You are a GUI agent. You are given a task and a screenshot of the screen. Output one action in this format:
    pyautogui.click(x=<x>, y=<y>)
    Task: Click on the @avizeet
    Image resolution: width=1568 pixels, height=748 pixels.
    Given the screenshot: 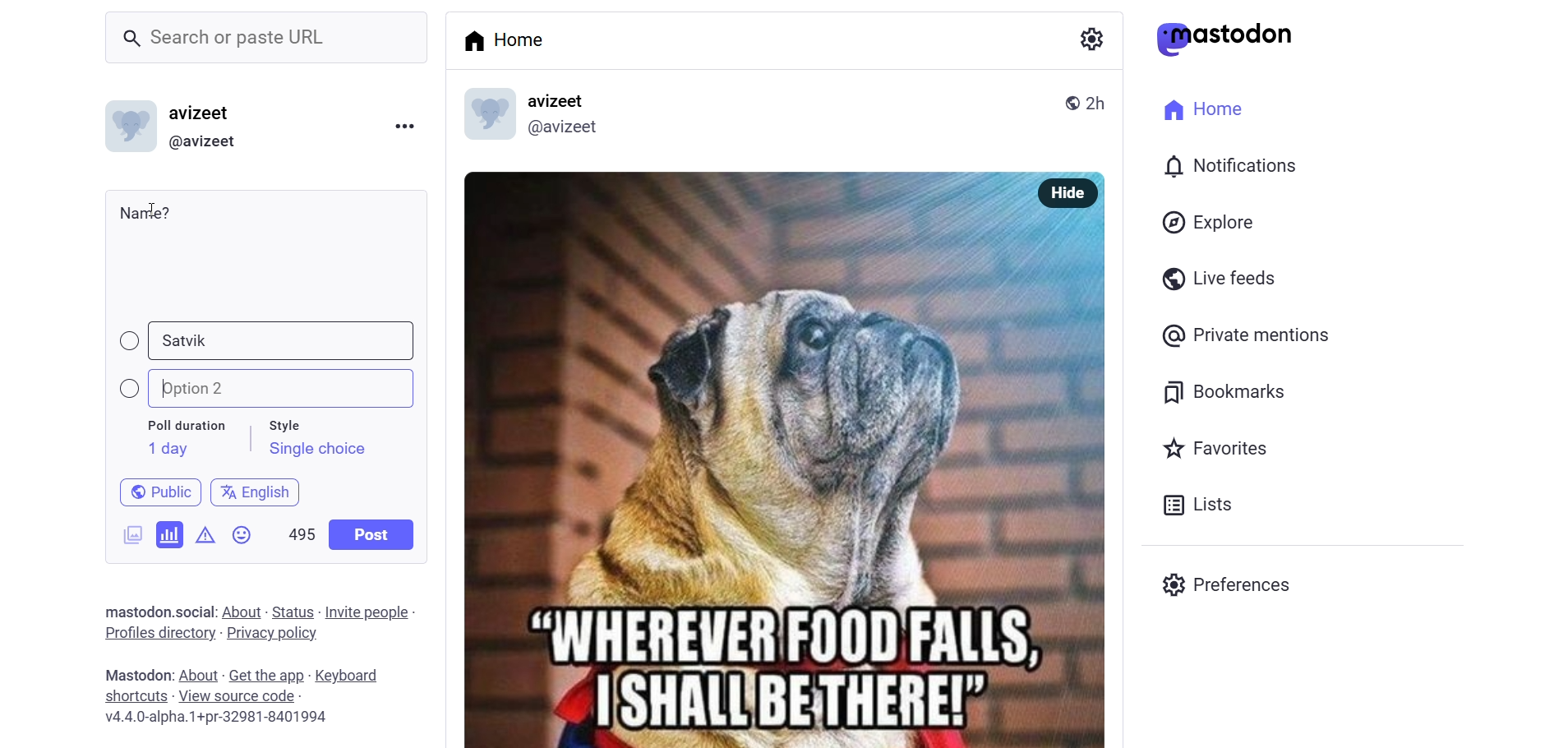 What is the action you would take?
    pyautogui.click(x=562, y=131)
    